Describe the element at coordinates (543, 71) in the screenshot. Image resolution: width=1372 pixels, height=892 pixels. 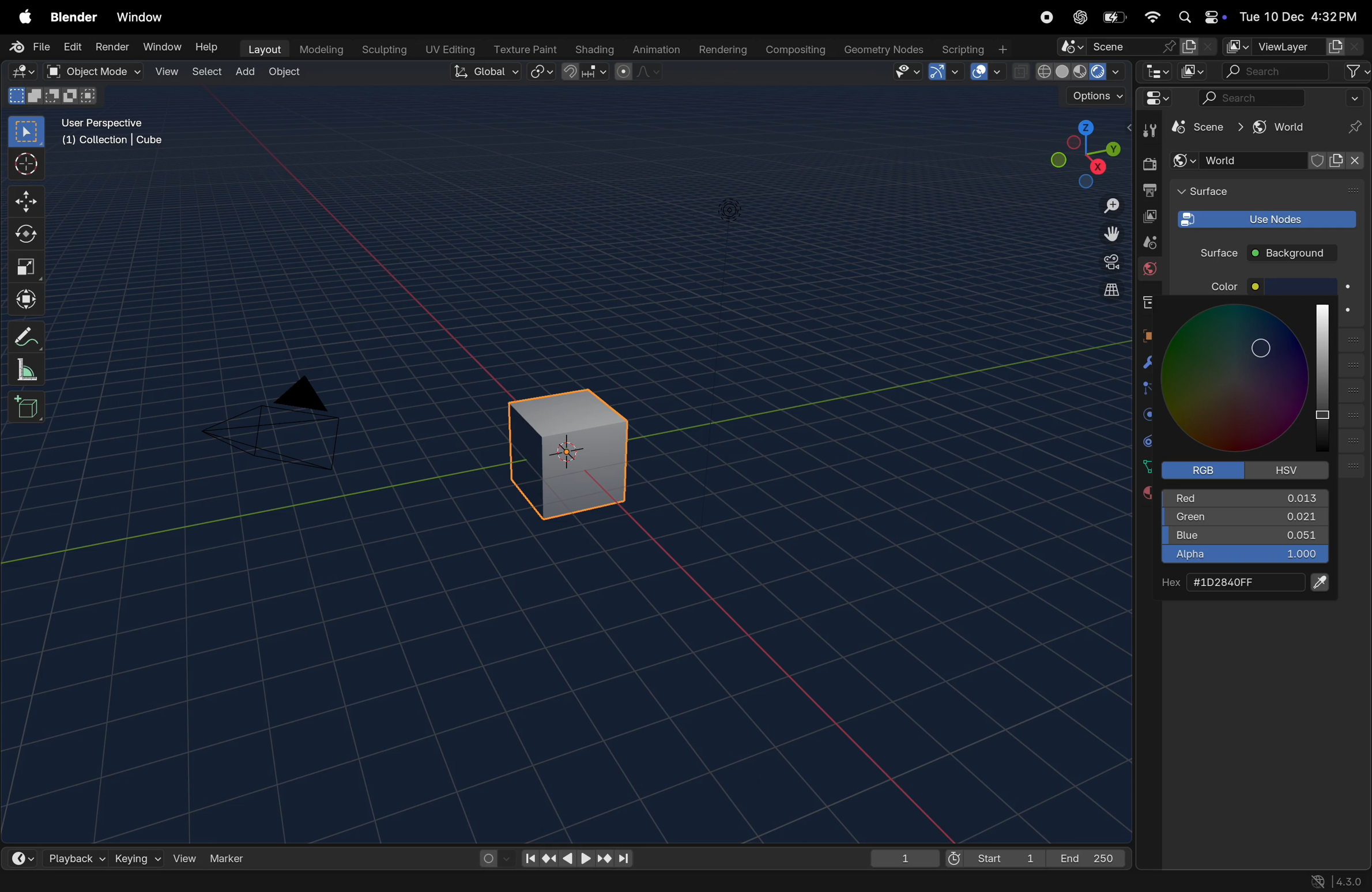
I see `trasnform pviot` at that location.